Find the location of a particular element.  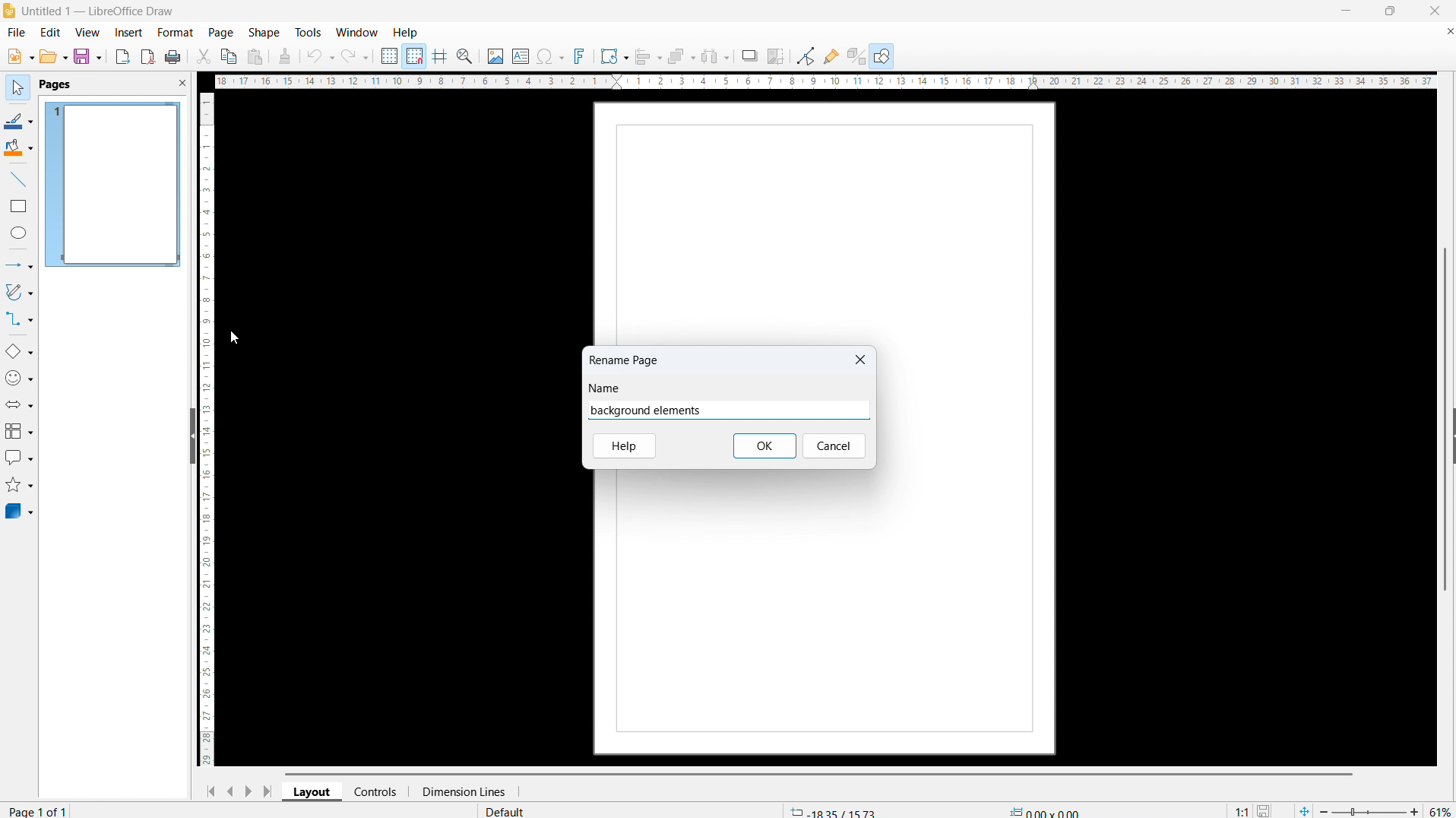

New page name typed  is located at coordinates (649, 411).